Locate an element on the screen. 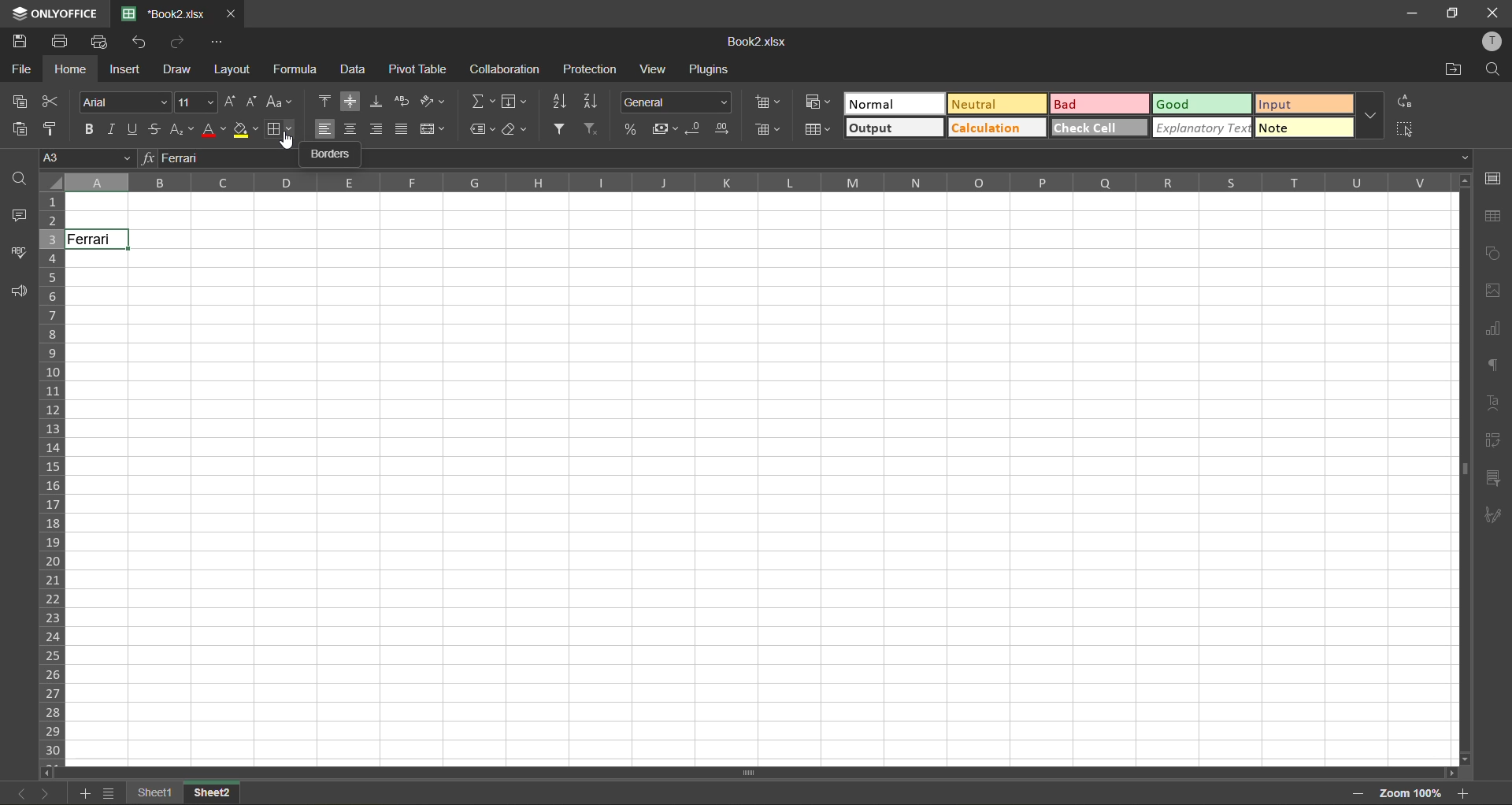 The image size is (1512, 805). images is located at coordinates (1490, 291).